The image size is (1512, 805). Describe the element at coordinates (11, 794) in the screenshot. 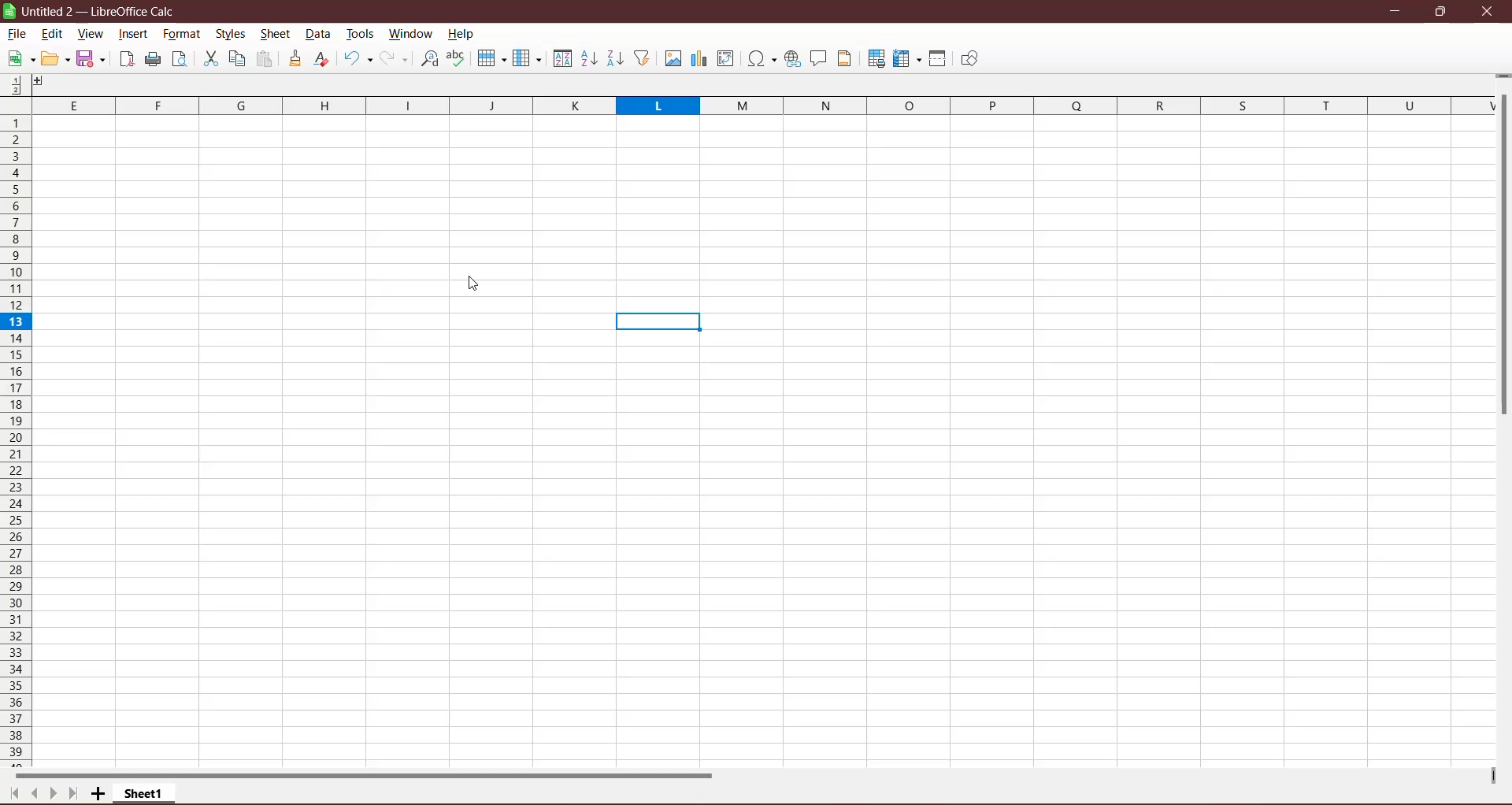

I see `Scroll to first page` at that location.